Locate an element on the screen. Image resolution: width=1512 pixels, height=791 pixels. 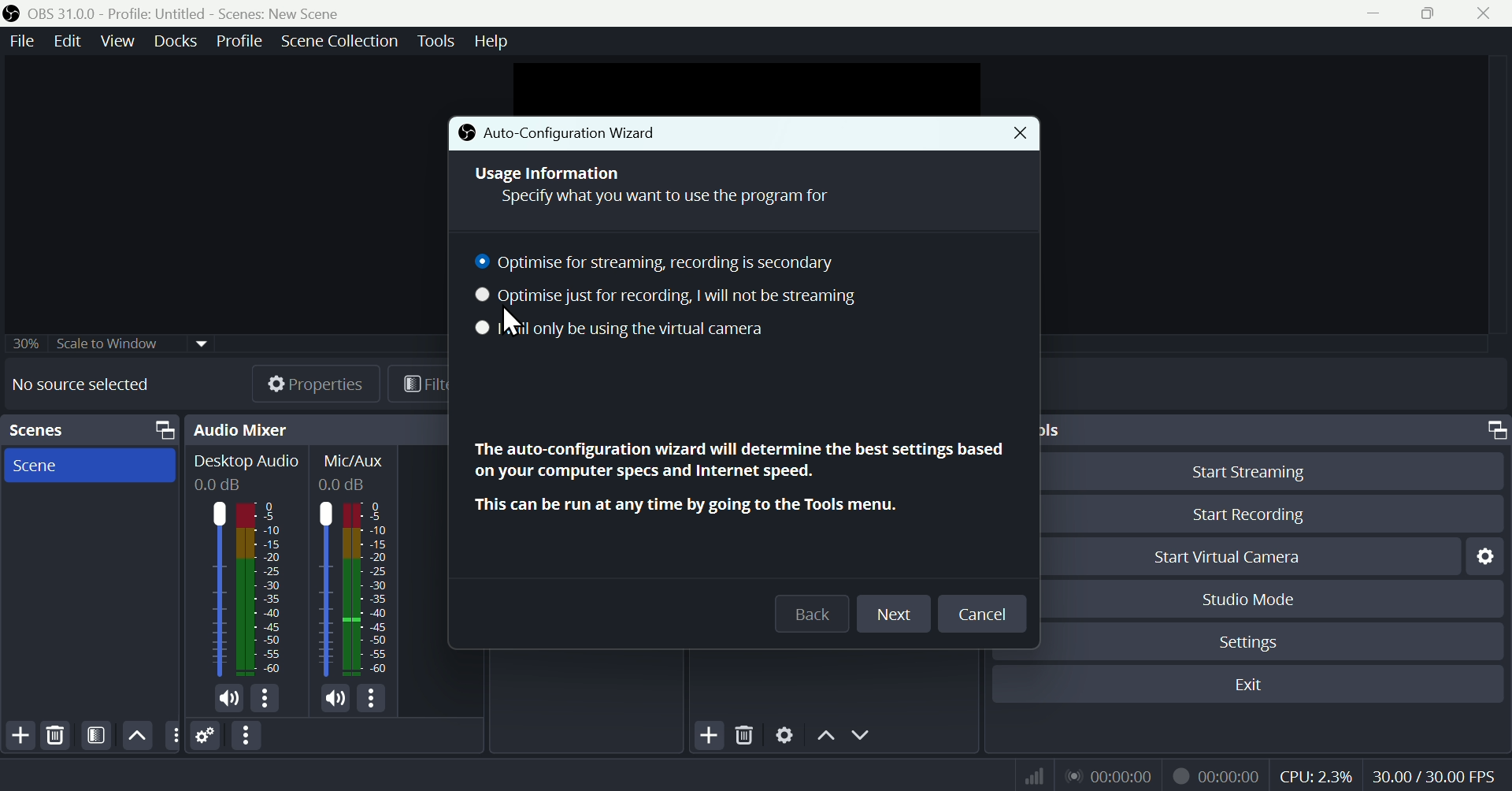
Edit is located at coordinates (69, 42).